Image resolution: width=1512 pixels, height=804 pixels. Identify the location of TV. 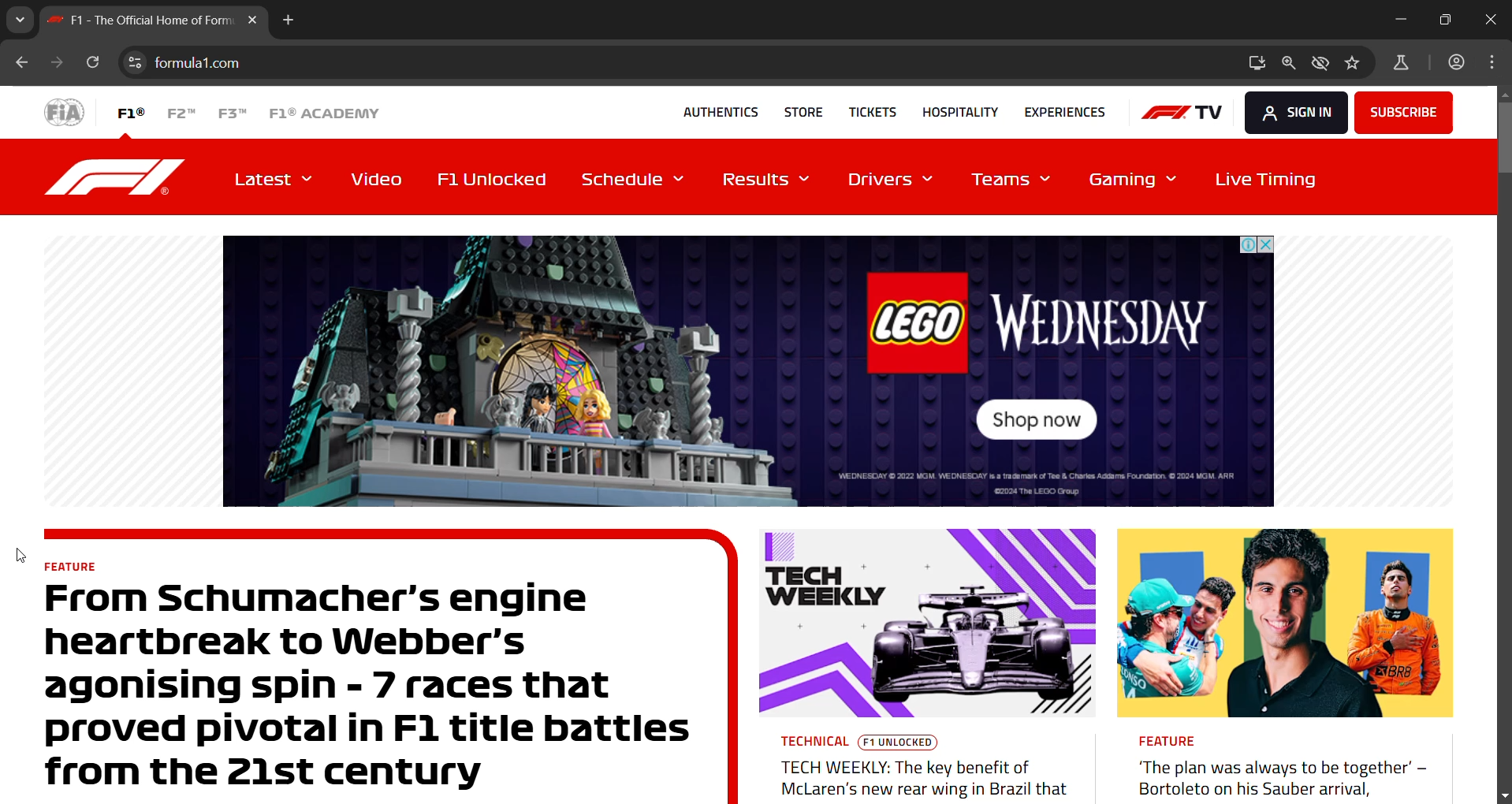
(1181, 111).